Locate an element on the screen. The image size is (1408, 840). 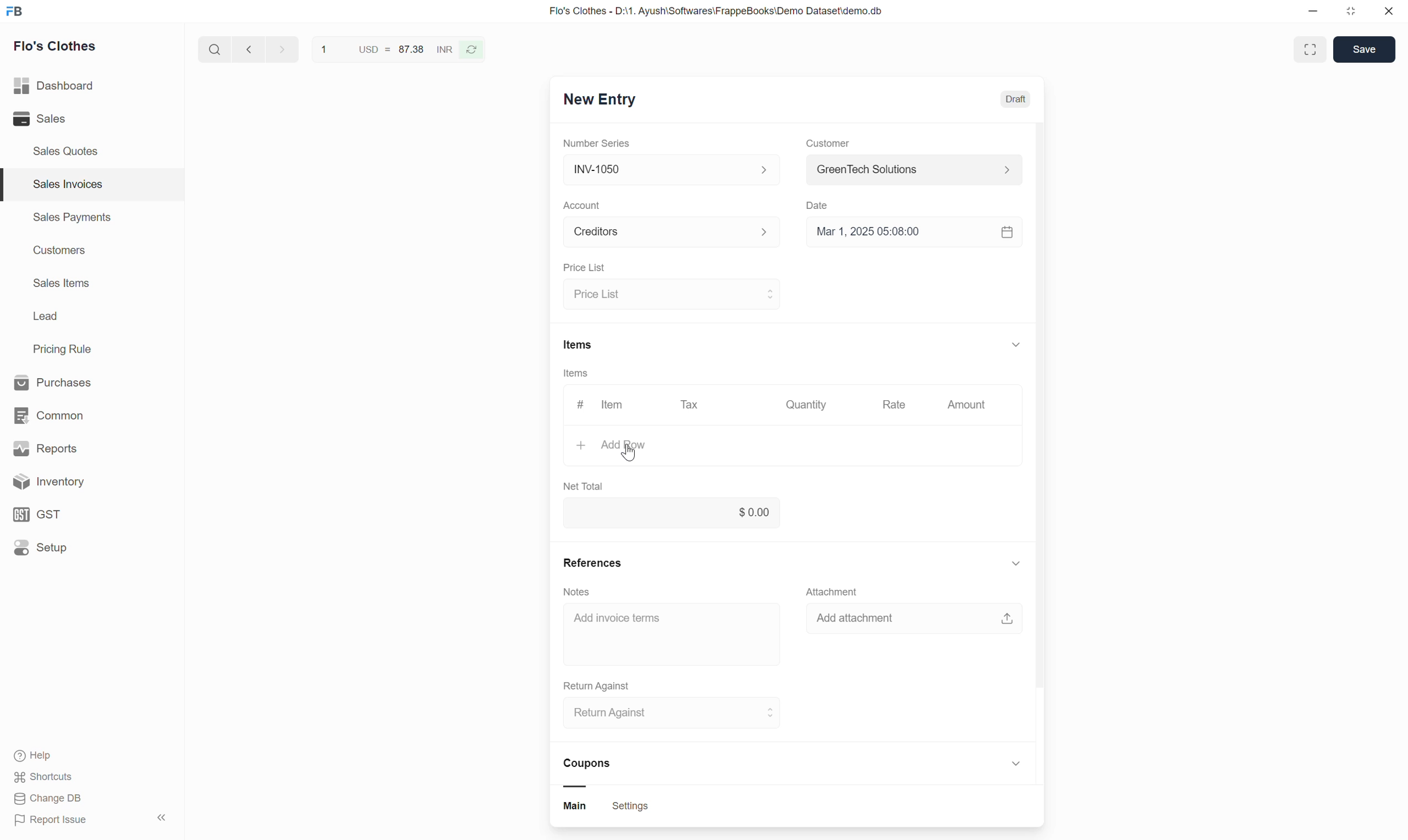
select price list  is located at coordinates (671, 294).